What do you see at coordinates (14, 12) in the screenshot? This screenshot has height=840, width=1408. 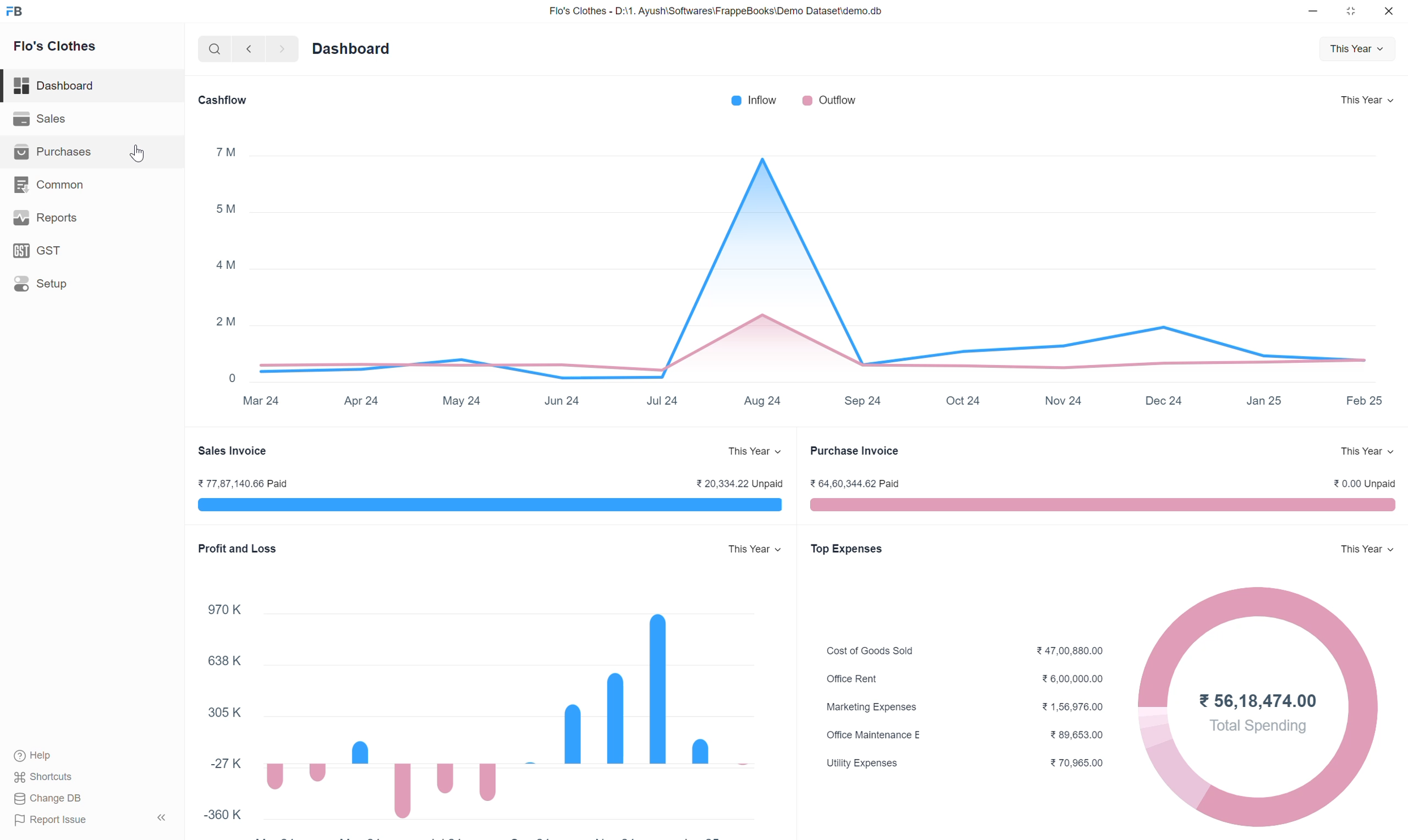 I see `FB` at bounding box center [14, 12].